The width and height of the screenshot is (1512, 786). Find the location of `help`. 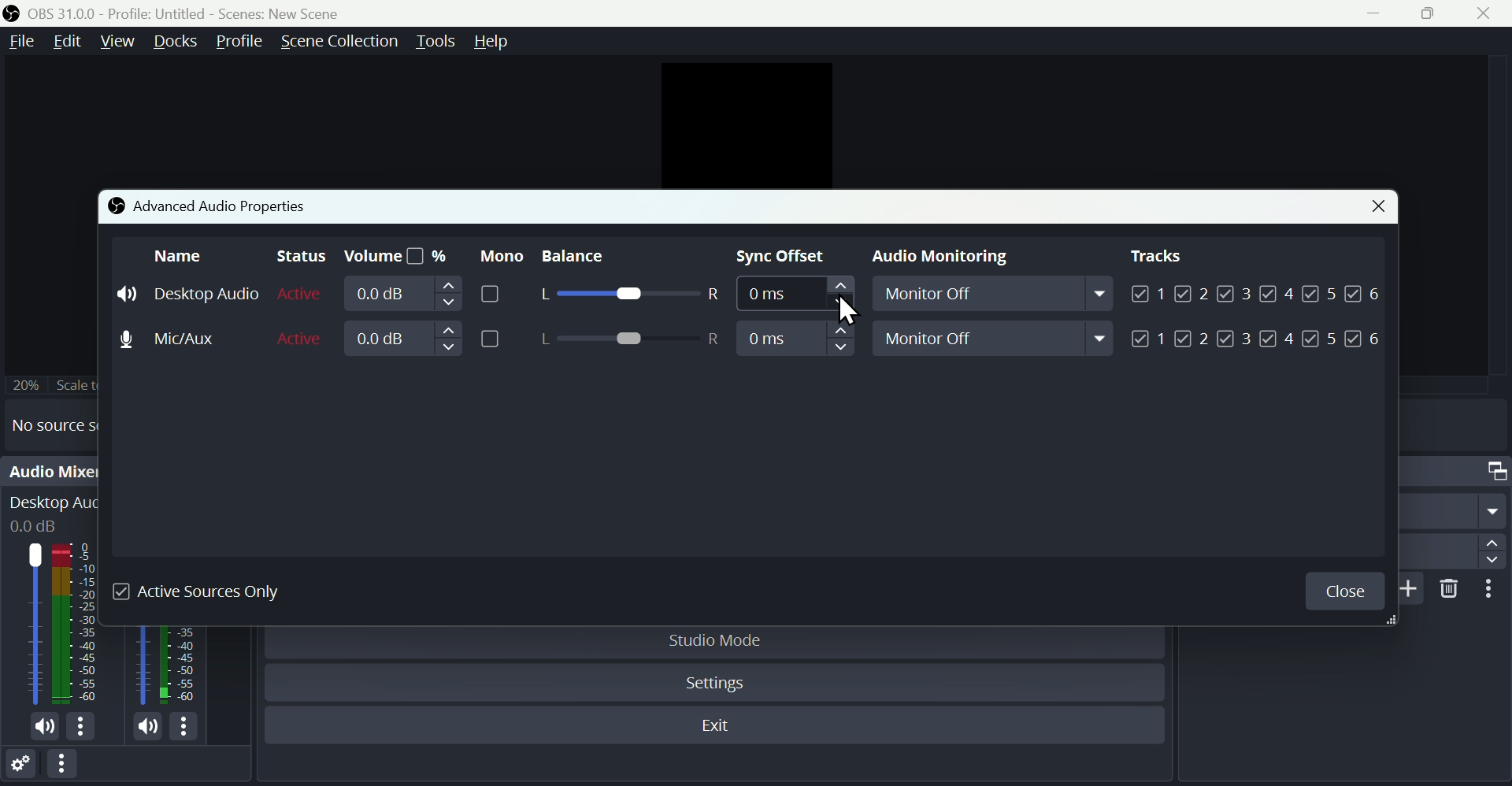

help is located at coordinates (495, 41).